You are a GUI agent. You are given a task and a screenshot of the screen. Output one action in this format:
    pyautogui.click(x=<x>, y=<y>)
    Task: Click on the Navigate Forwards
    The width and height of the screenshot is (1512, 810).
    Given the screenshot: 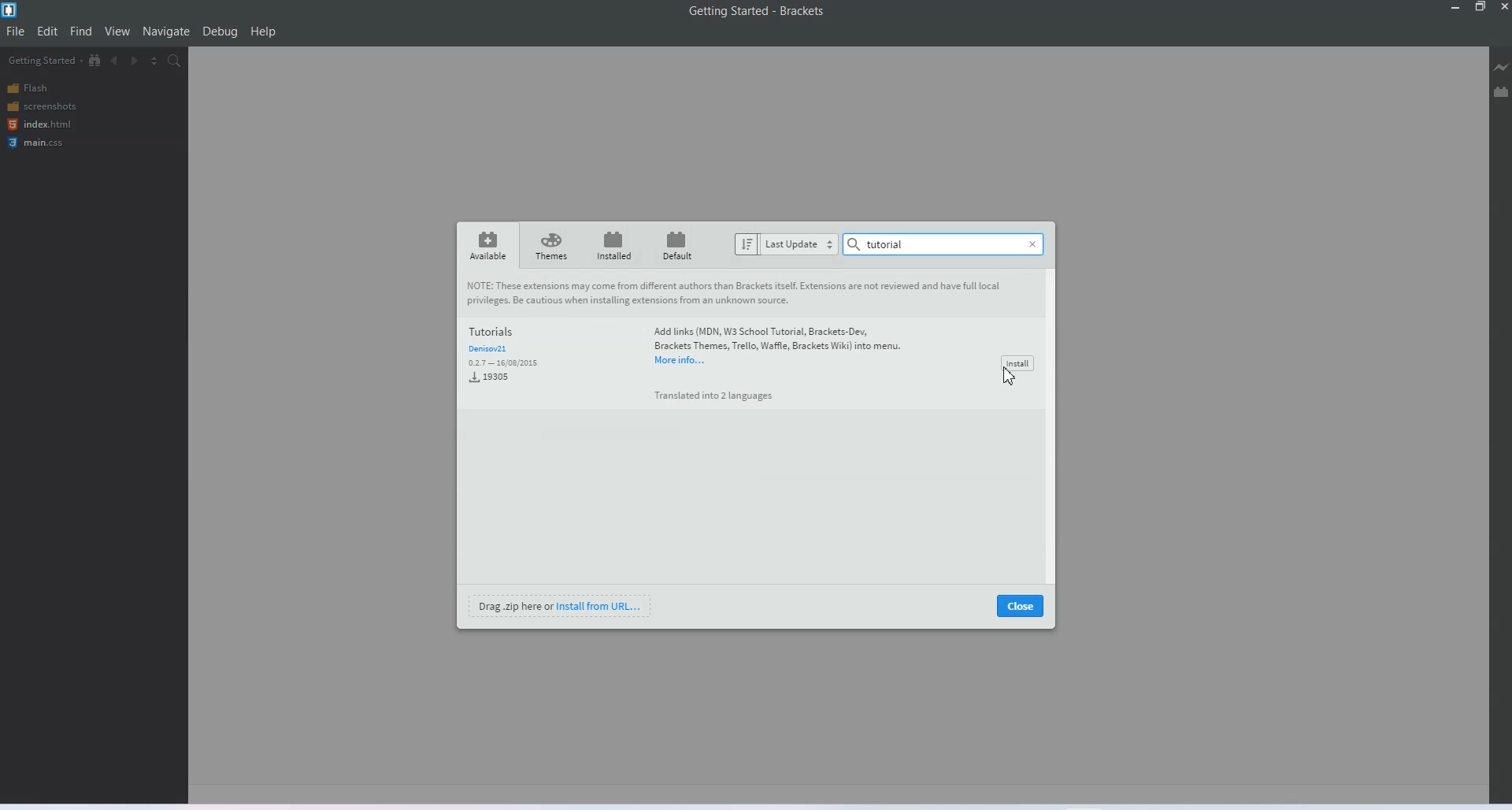 What is the action you would take?
    pyautogui.click(x=136, y=61)
    